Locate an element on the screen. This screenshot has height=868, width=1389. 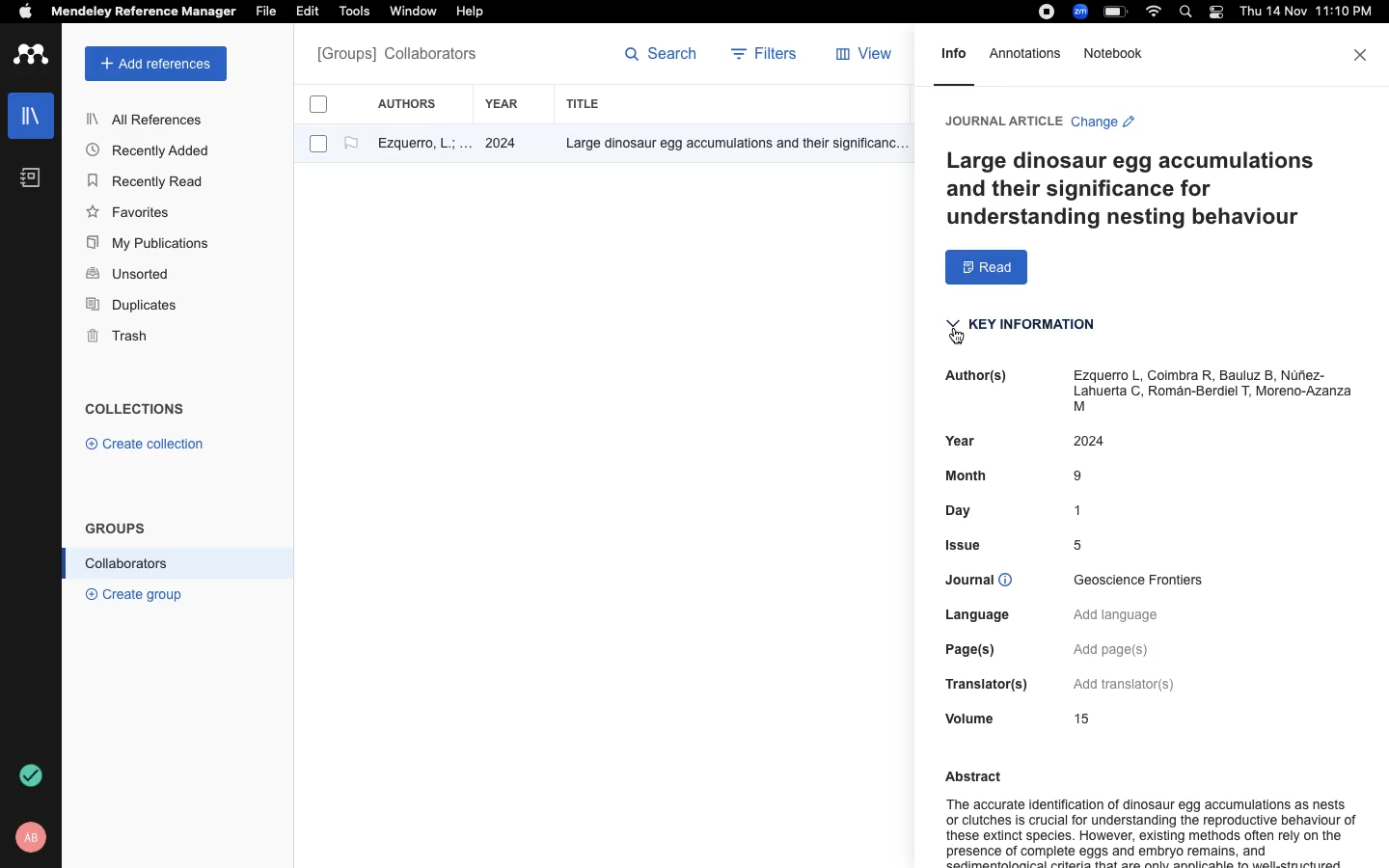
annotations is located at coordinates (1029, 53).